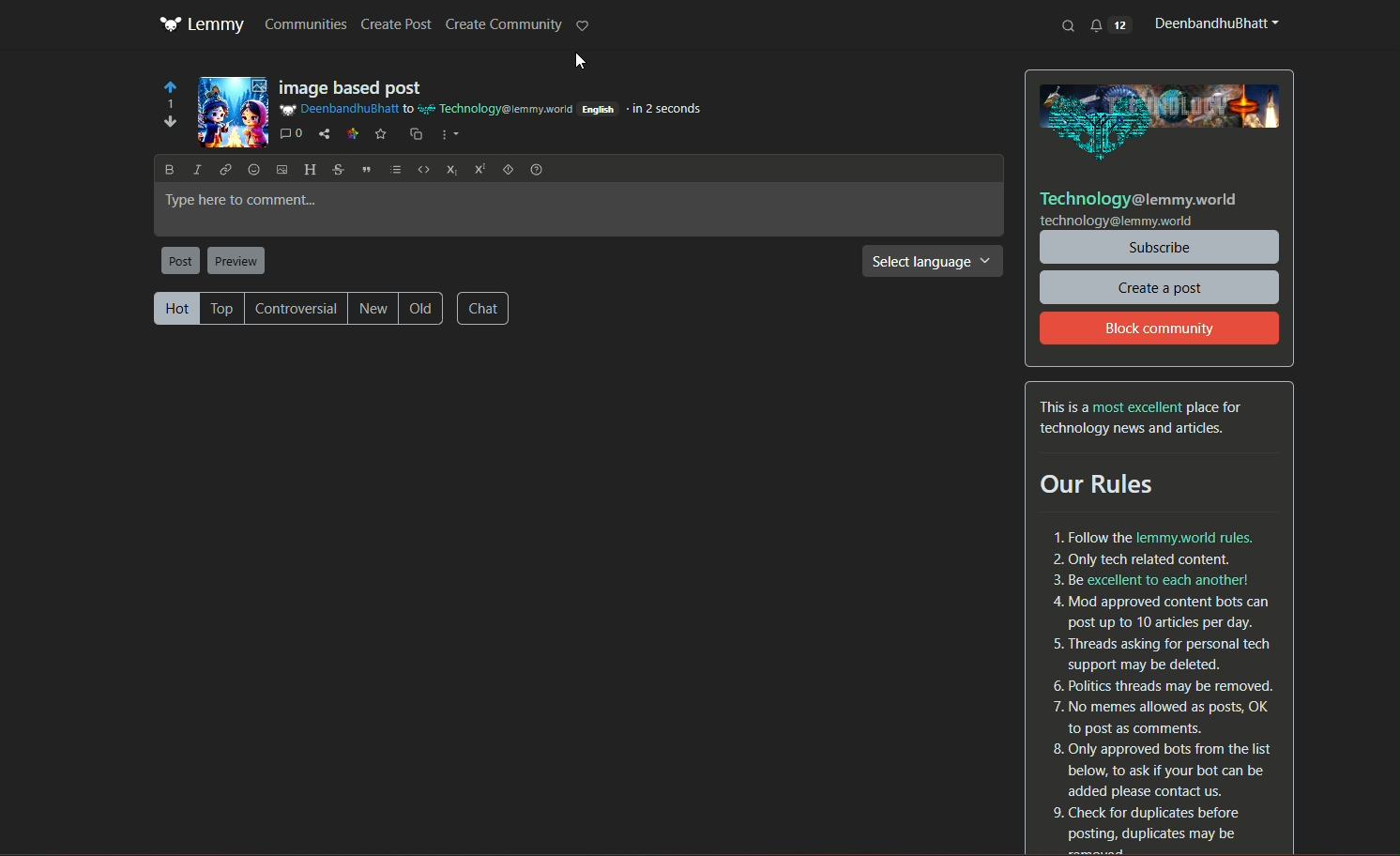  Describe the element at coordinates (1159, 717) in the screenshot. I see `7. No memes allowed as posts, OK to post as comments.` at that location.